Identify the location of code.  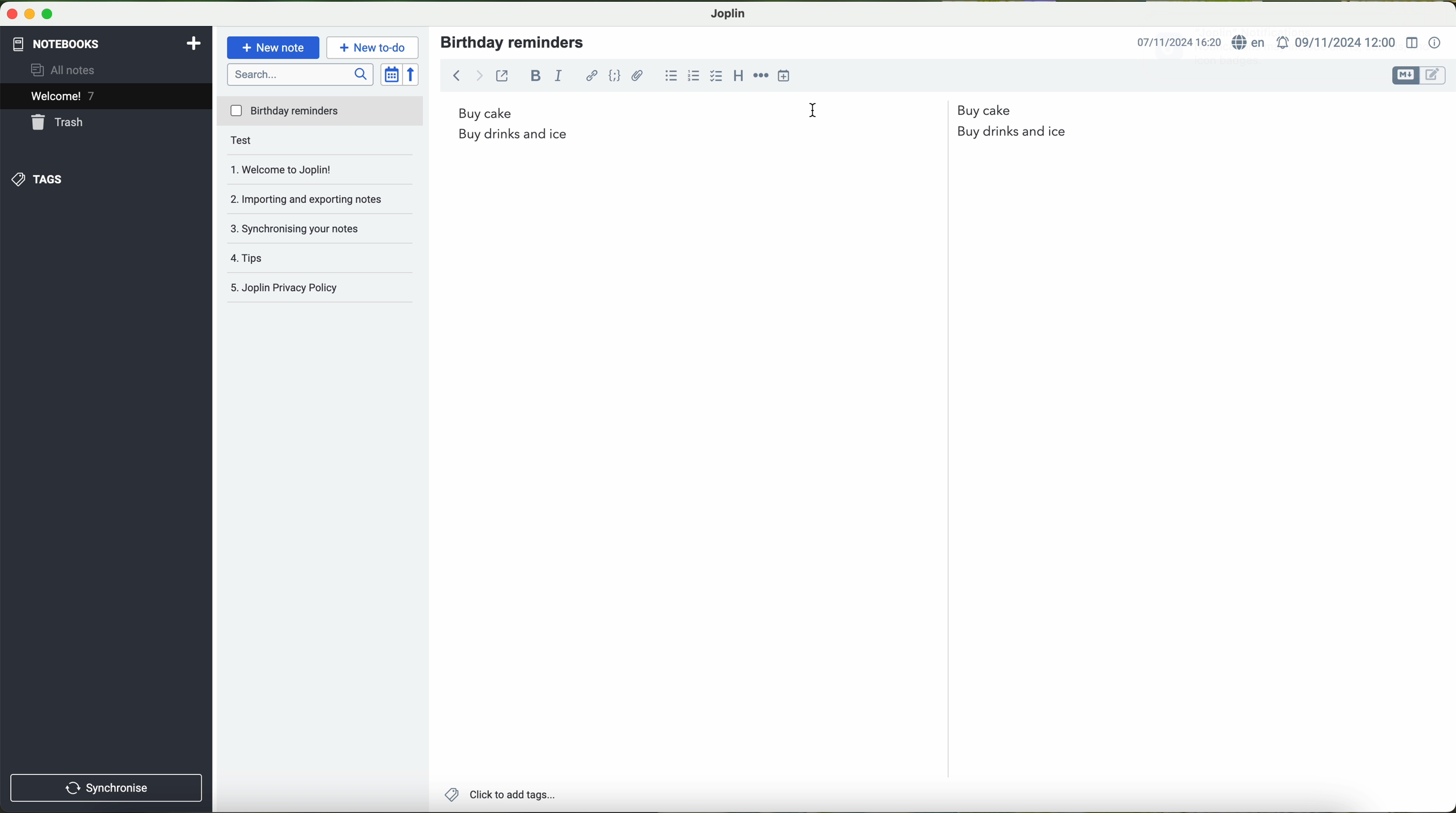
(615, 75).